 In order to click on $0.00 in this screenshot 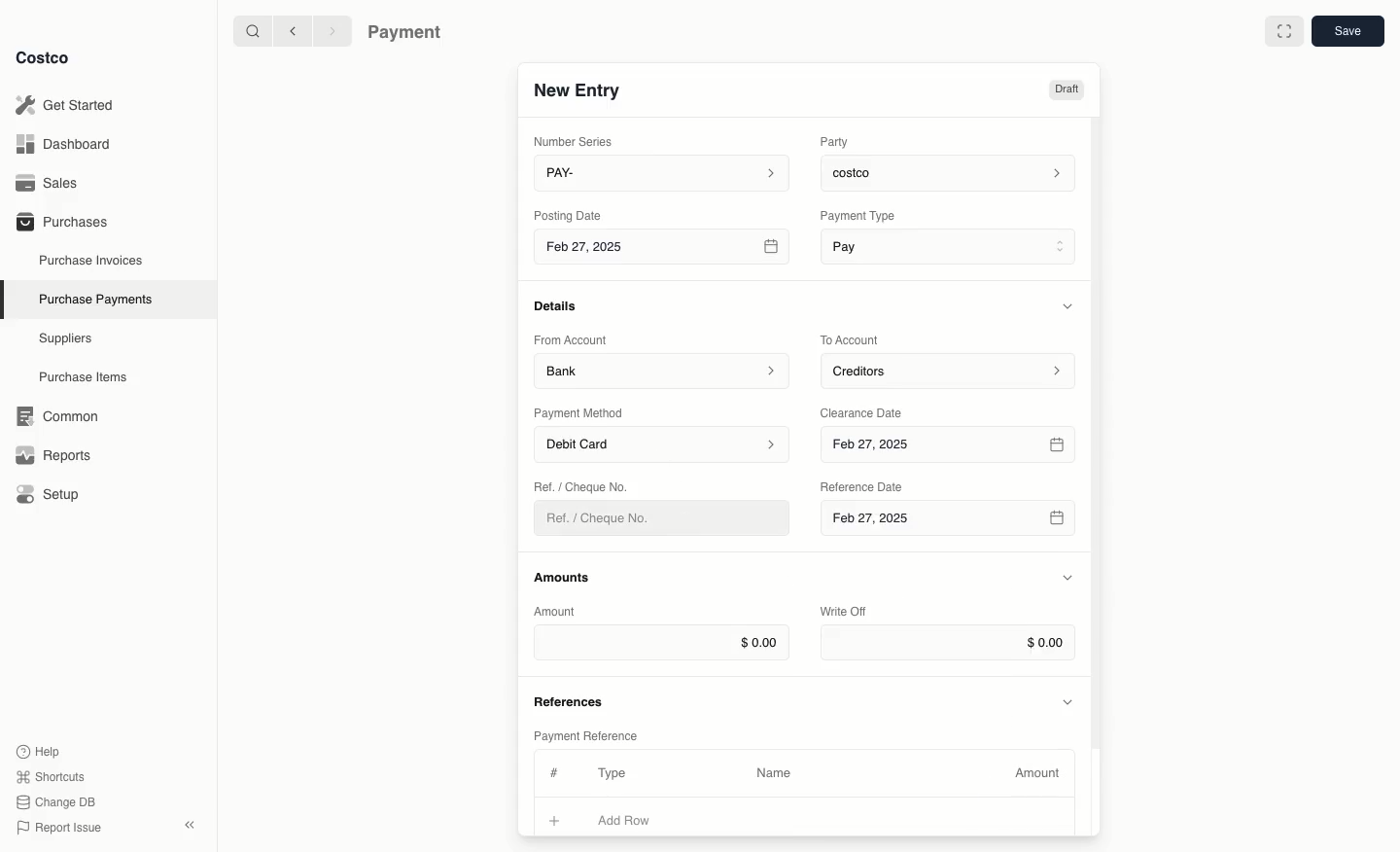, I will do `click(948, 643)`.